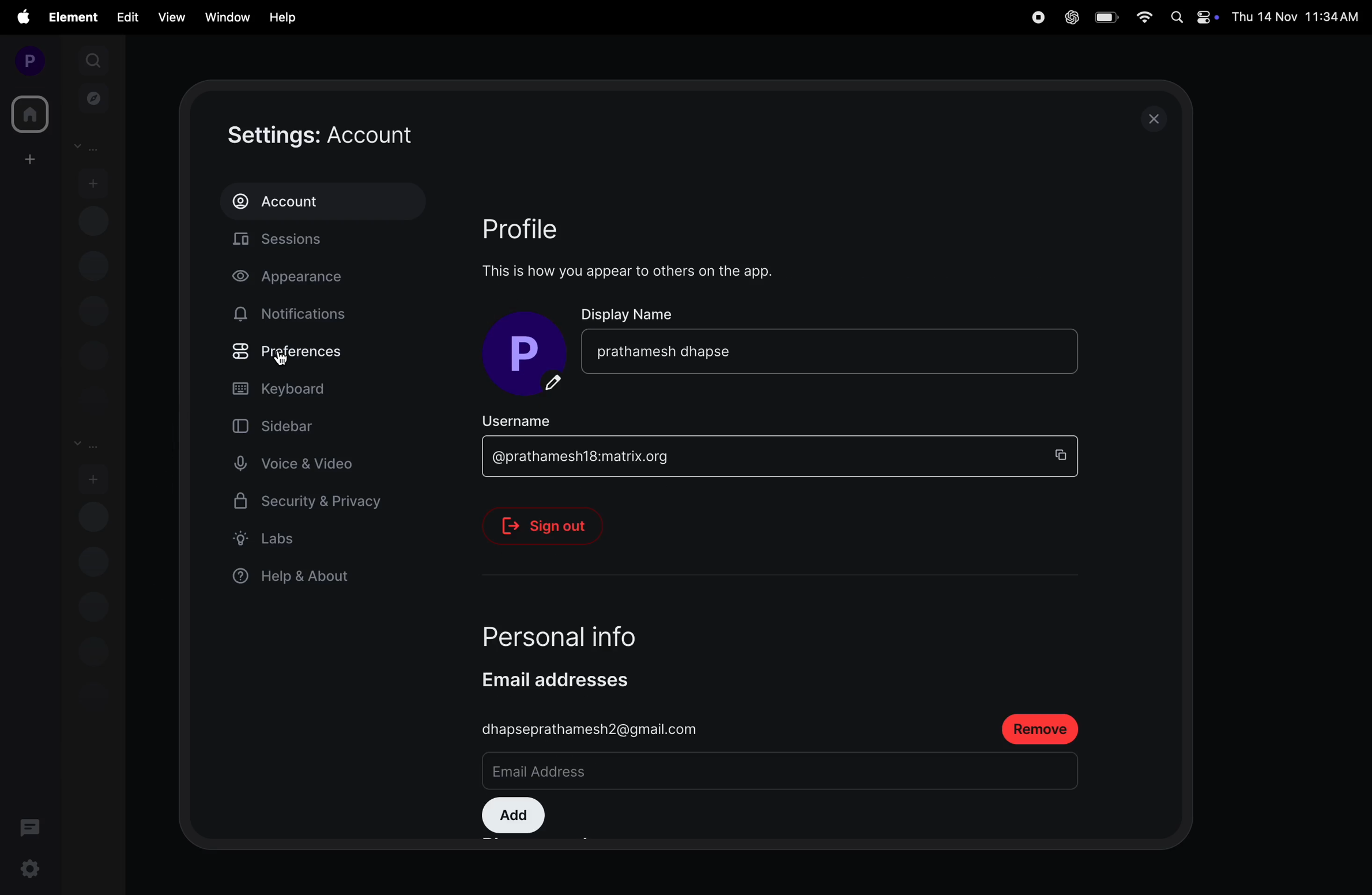 Image resolution: width=1372 pixels, height=895 pixels. What do you see at coordinates (630, 272) in the screenshot?
I see `This is how you appear to others on the app.` at bounding box center [630, 272].